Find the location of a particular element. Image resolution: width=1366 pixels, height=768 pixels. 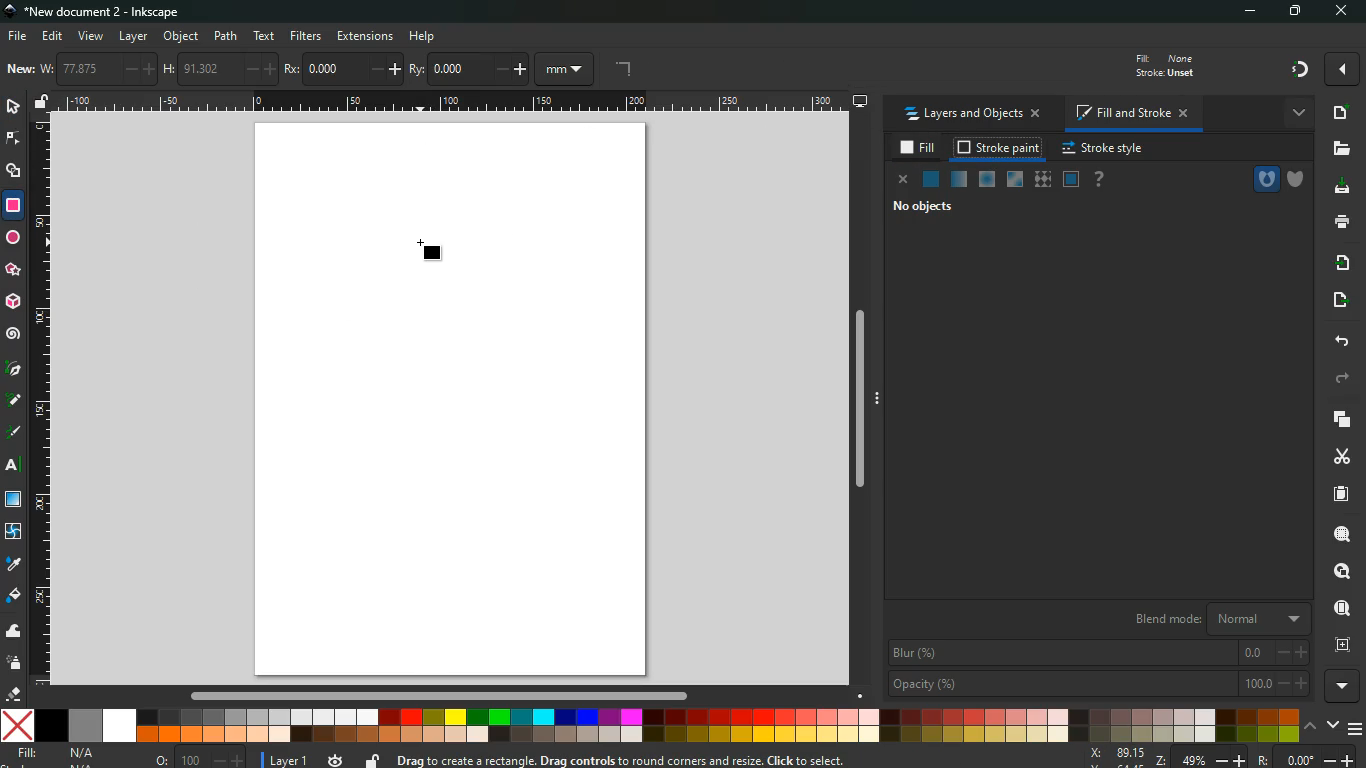

fill is located at coordinates (58, 757).